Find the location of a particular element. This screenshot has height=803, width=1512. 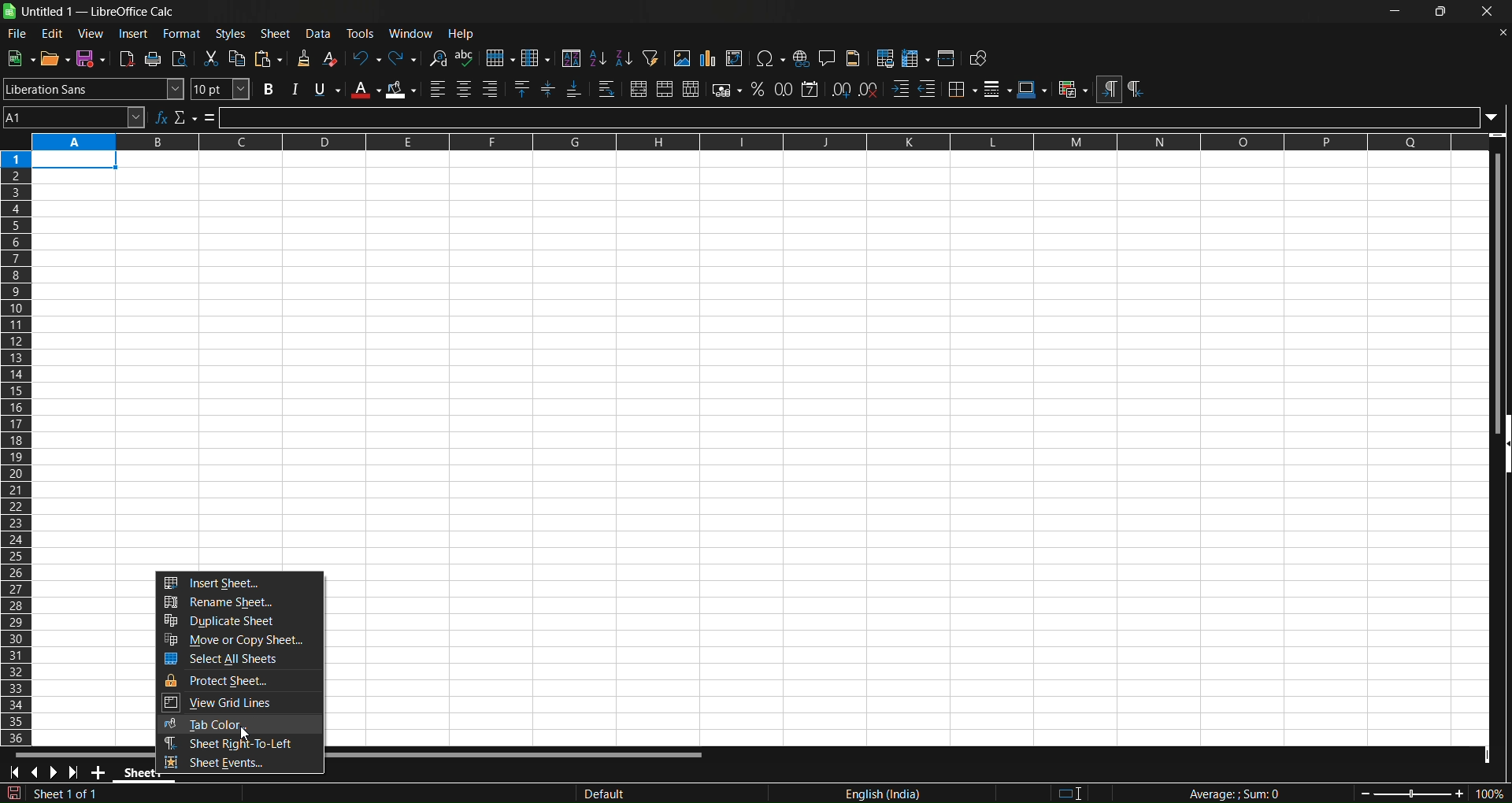

border color is located at coordinates (1032, 89).